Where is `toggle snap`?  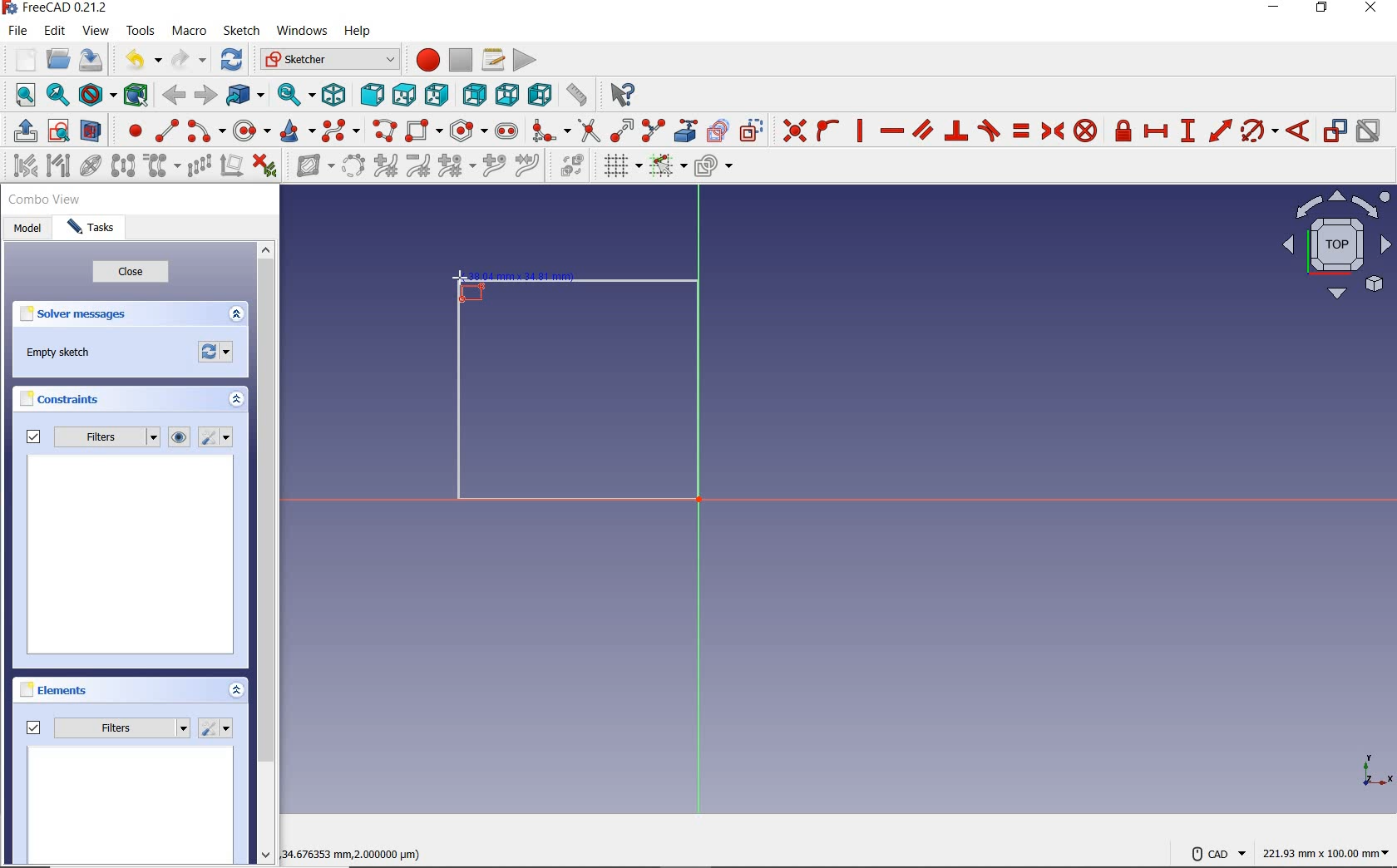
toggle snap is located at coordinates (667, 167).